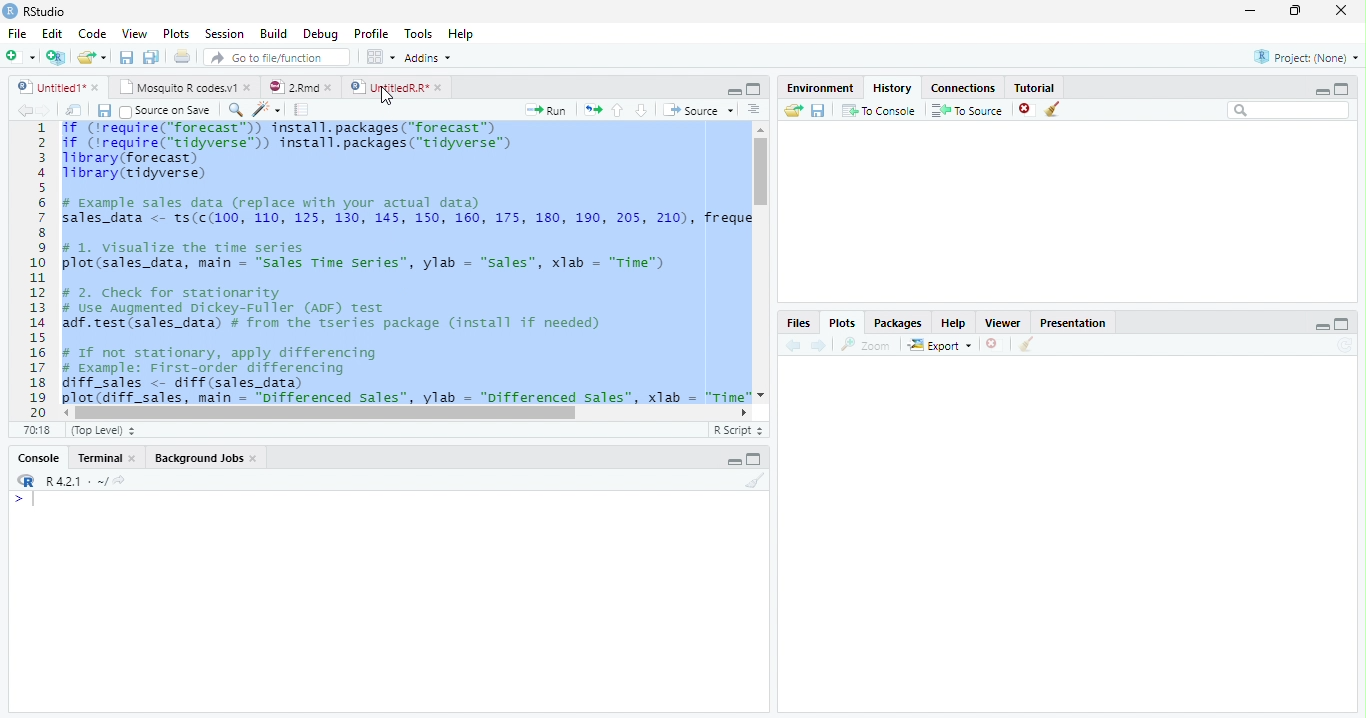 The width and height of the screenshot is (1366, 718). Describe the element at coordinates (1289, 111) in the screenshot. I see `Search` at that location.